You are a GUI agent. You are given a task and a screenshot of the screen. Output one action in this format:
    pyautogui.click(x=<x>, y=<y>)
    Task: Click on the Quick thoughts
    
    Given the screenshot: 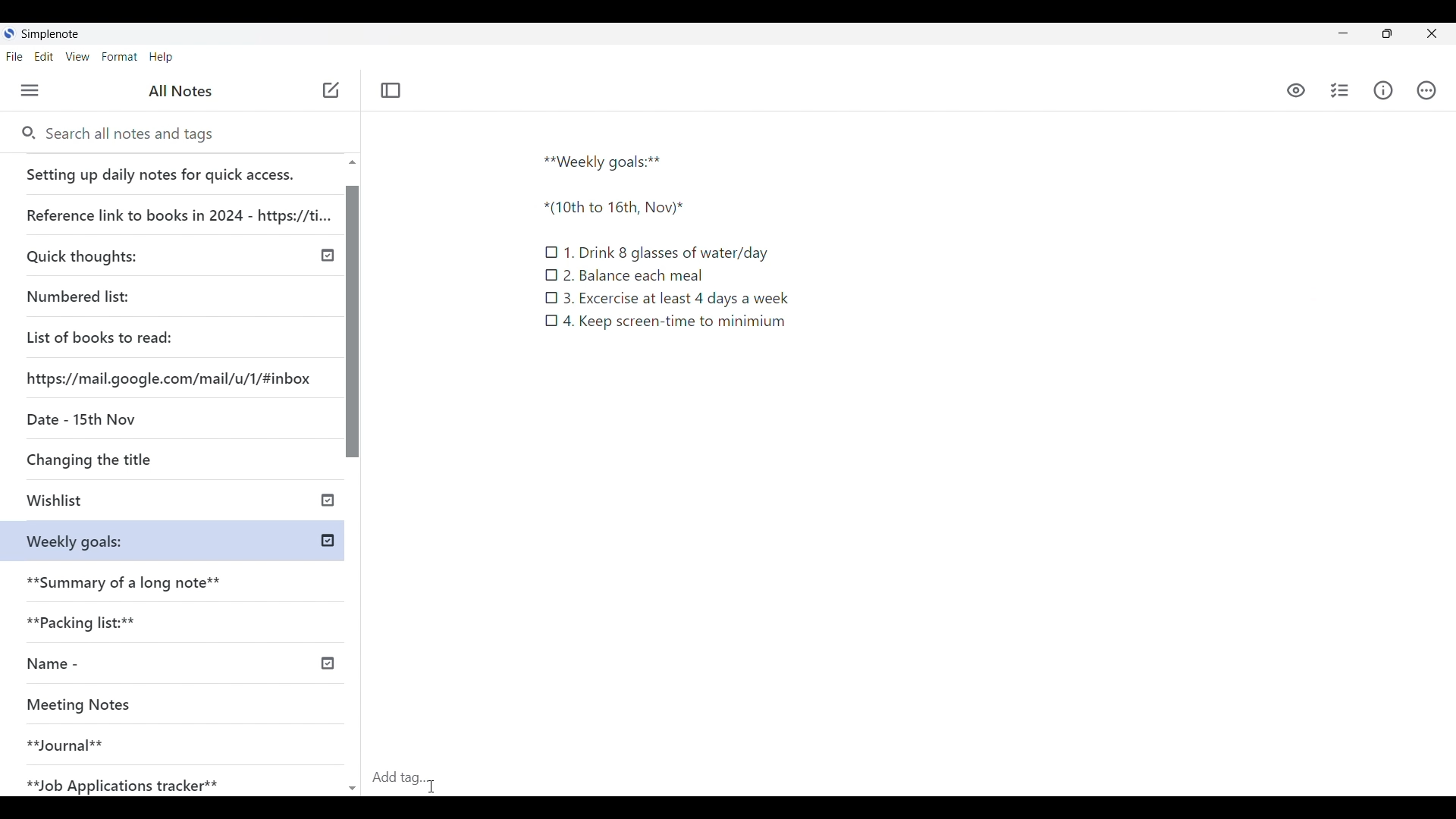 What is the action you would take?
    pyautogui.click(x=124, y=254)
    